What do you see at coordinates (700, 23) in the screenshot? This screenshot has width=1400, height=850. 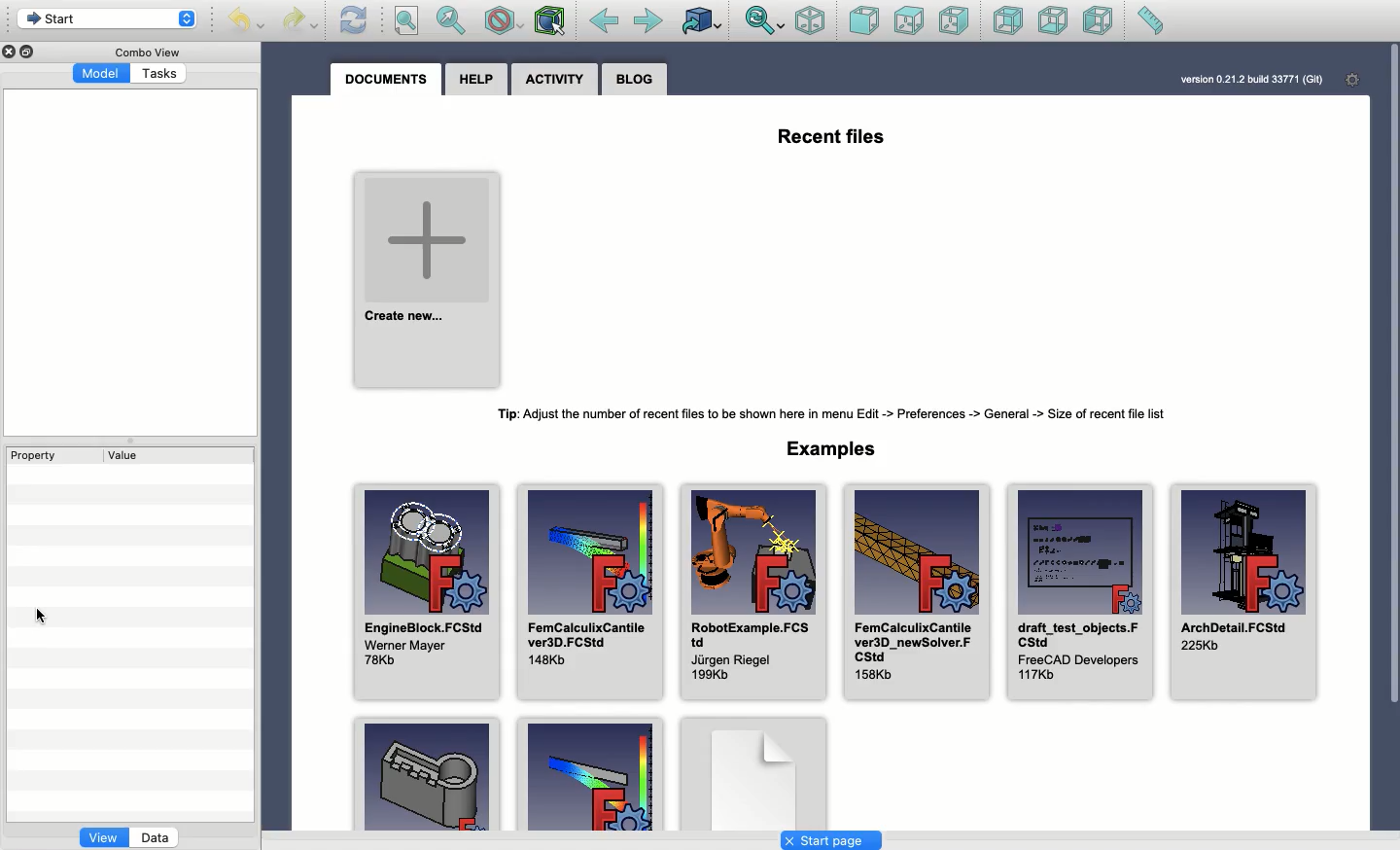 I see `Go to linked object` at bounding box center [700, 23].